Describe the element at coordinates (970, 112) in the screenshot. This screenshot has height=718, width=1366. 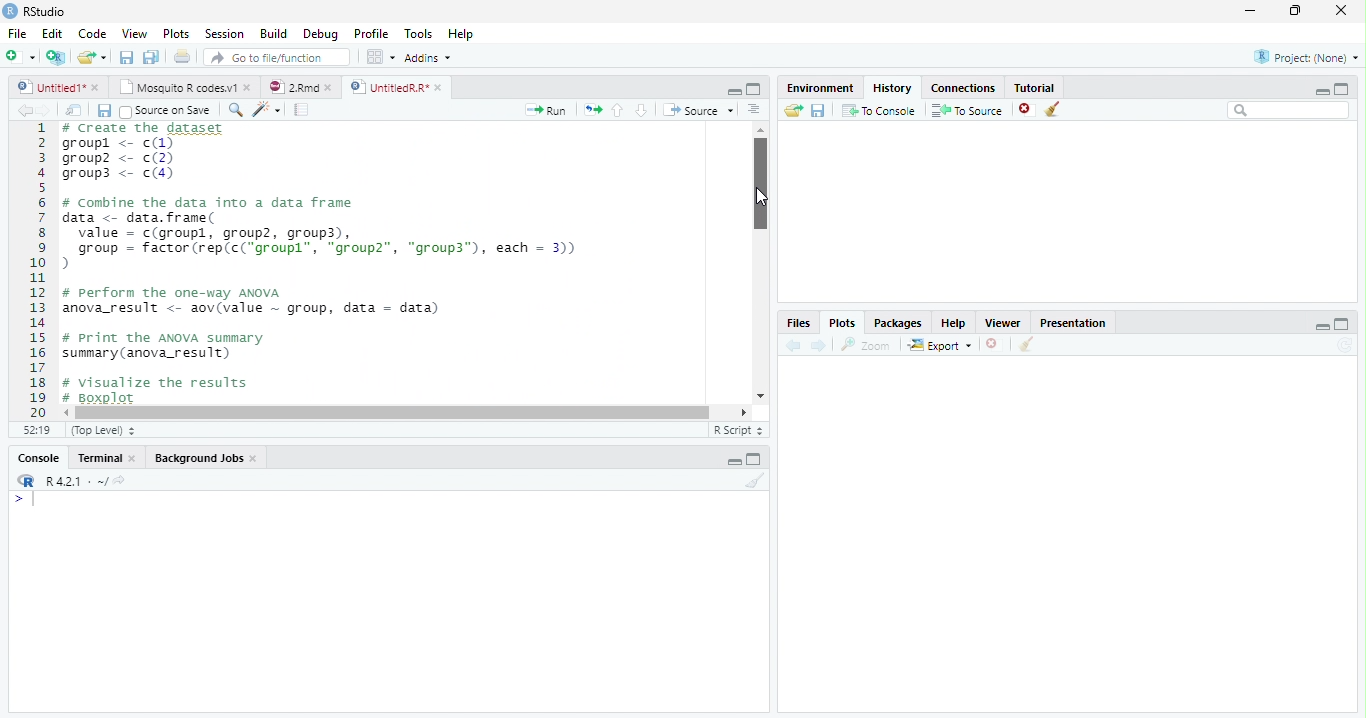
I see `To source` at that location.